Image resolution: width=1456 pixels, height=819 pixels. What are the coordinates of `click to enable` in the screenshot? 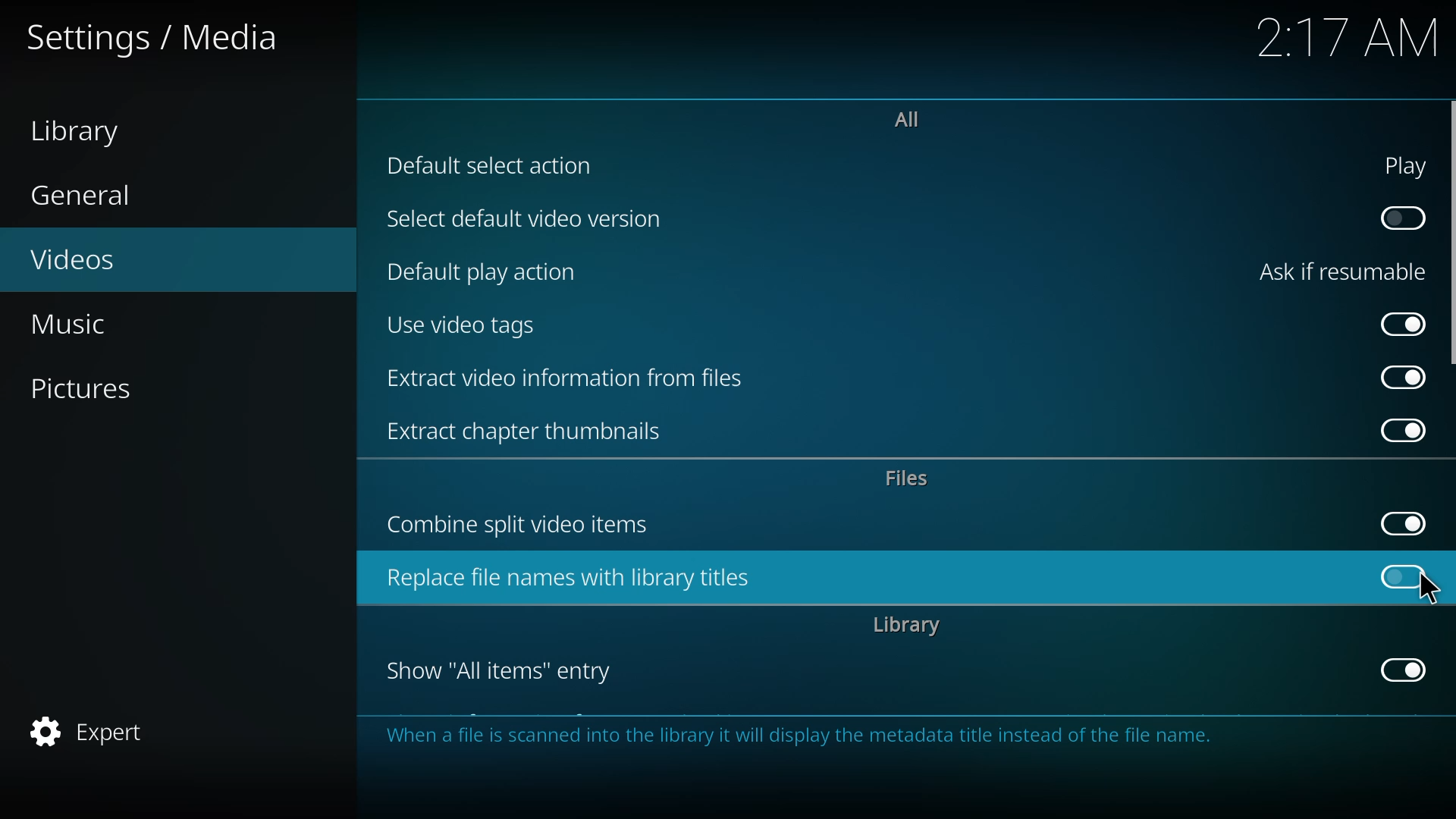 It's located at (1398, 218).